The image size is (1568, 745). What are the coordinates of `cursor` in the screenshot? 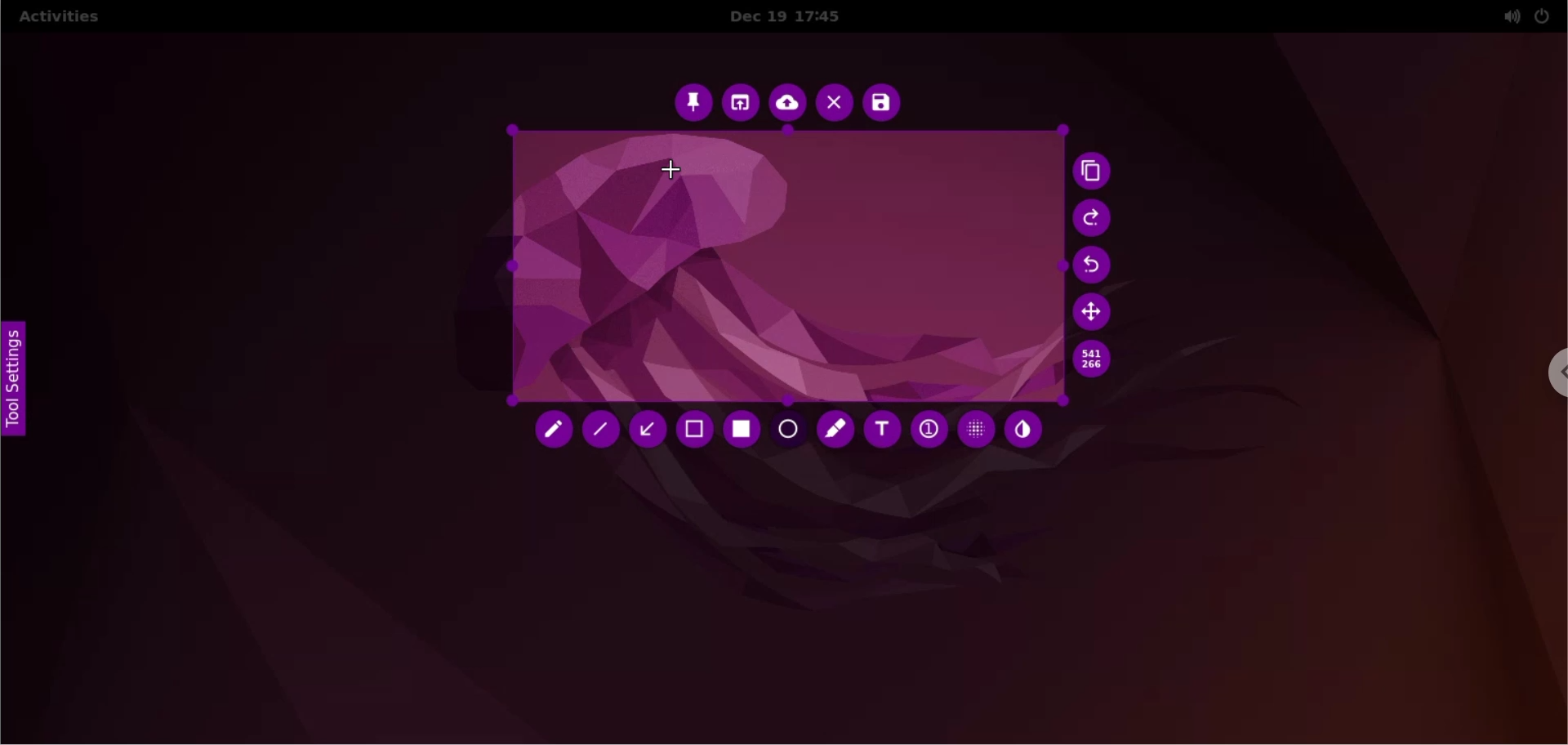 It's located at (674, 167).